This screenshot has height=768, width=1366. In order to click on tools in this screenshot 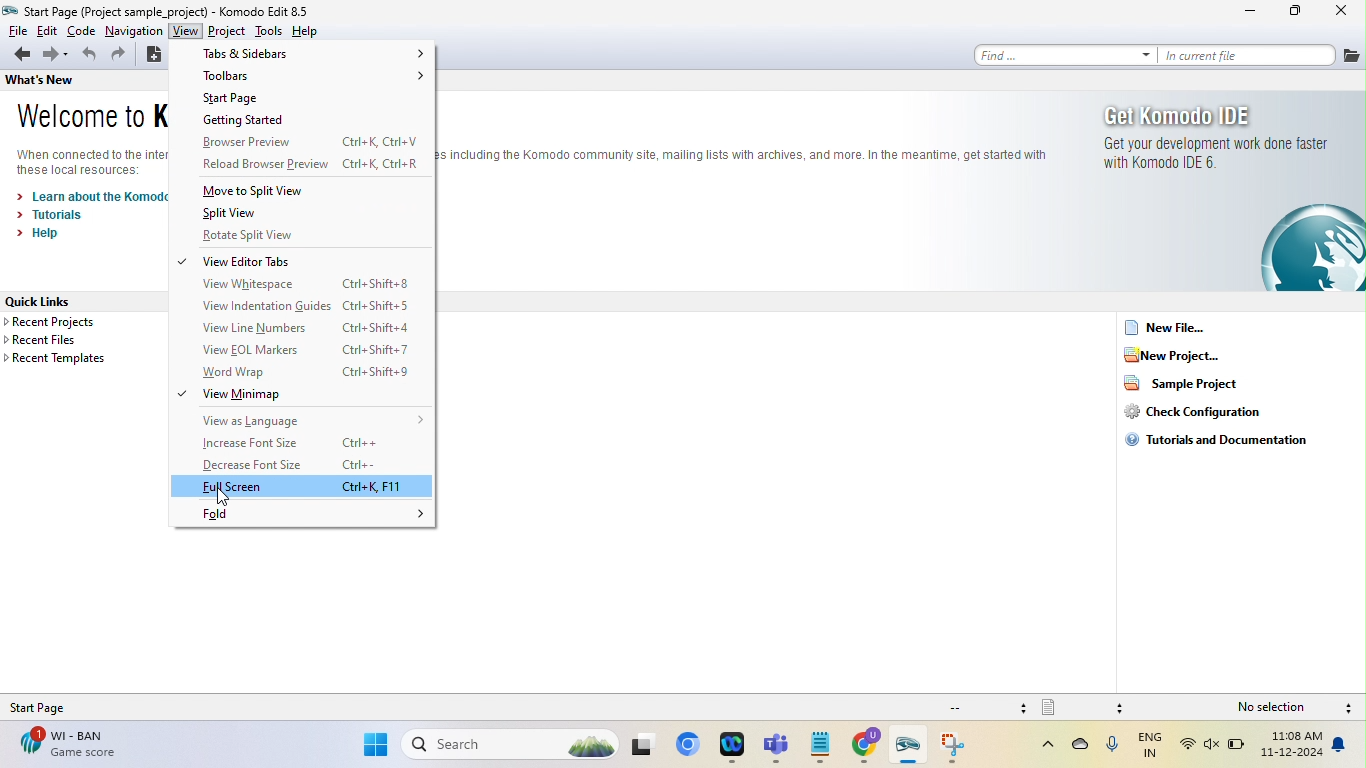, I will do `click(269, 31)`.